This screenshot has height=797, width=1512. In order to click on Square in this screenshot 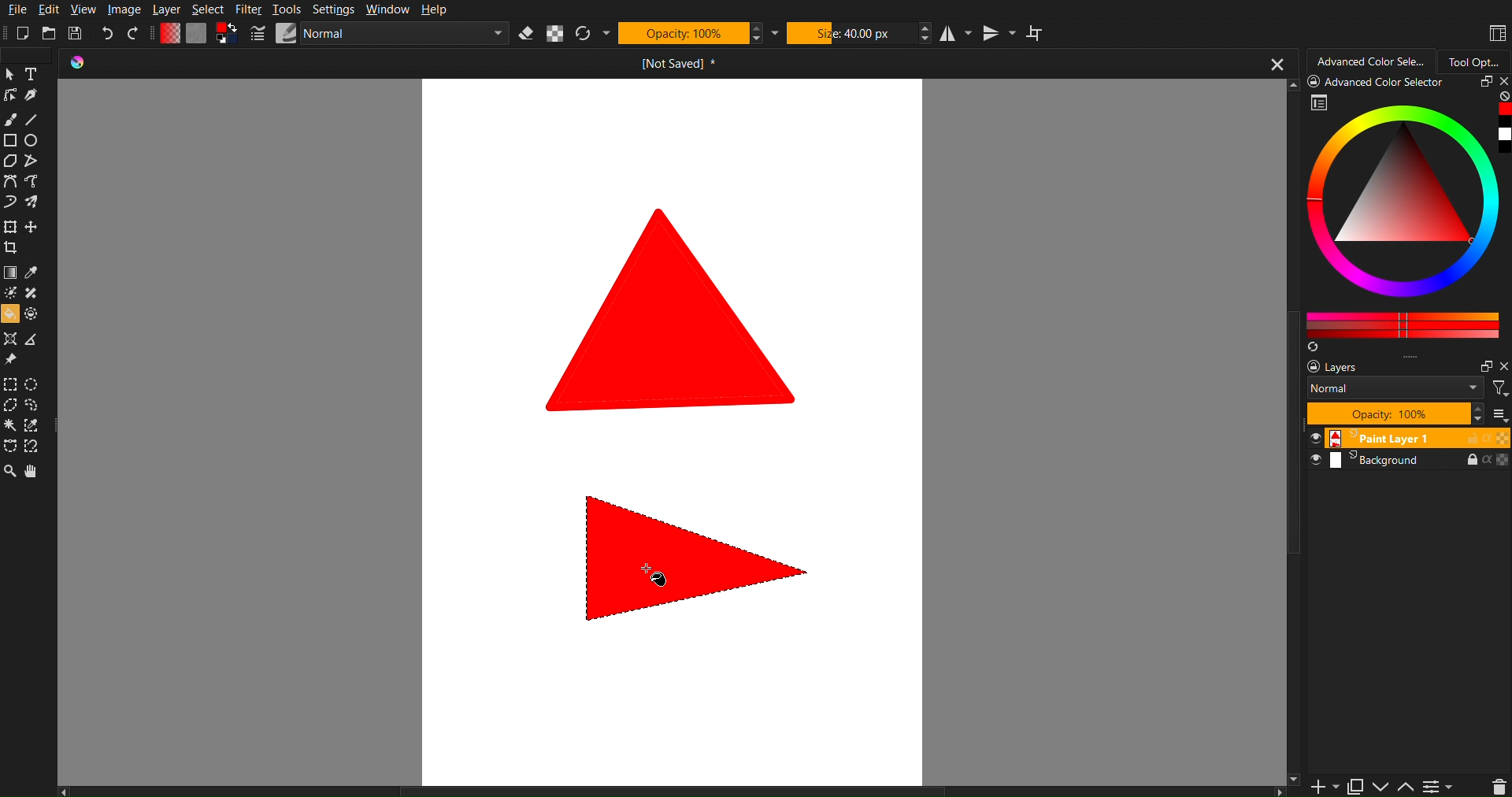, I will do `click(9, 228)`.